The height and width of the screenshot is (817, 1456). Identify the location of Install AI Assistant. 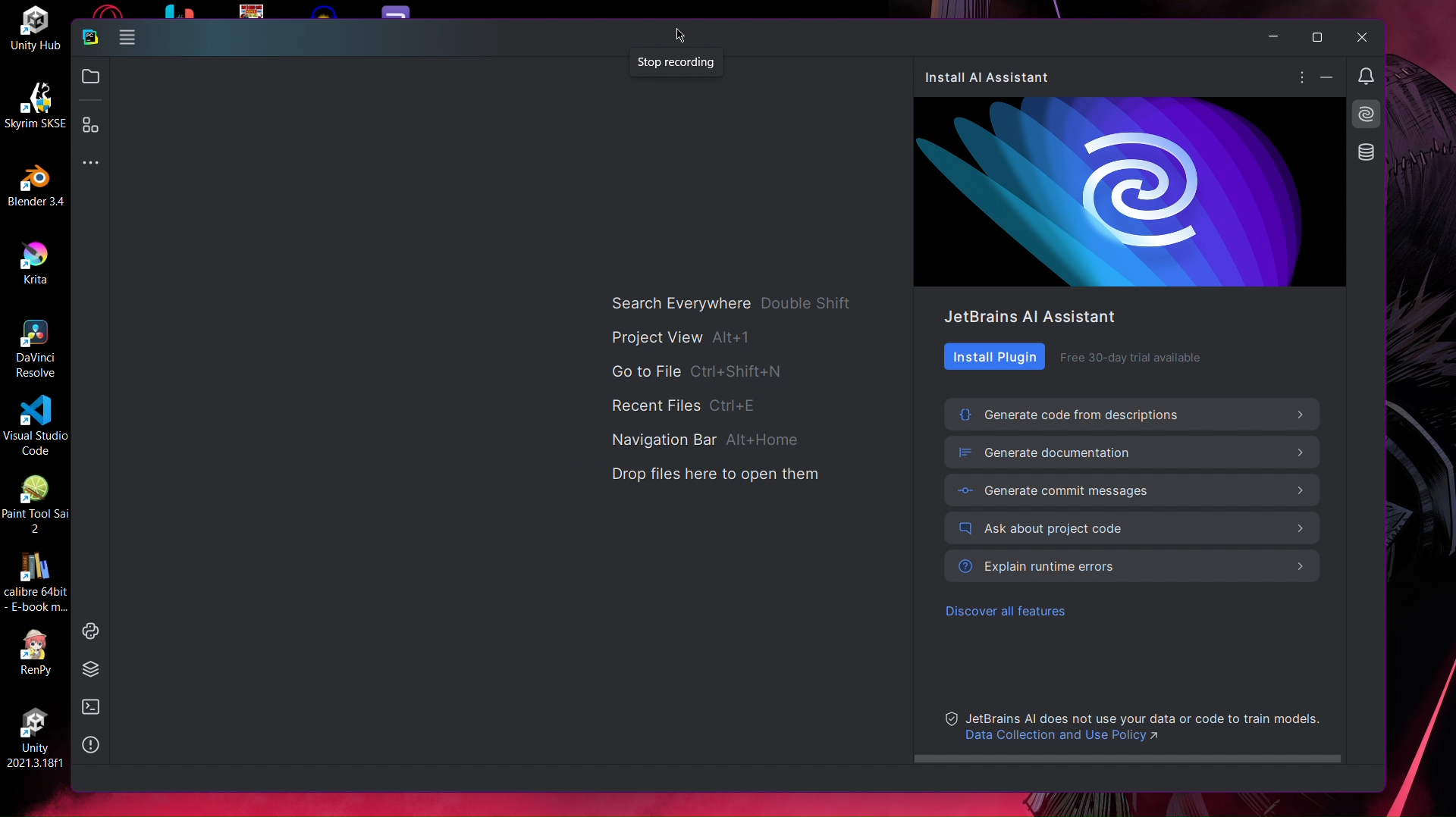
(1369, 115).